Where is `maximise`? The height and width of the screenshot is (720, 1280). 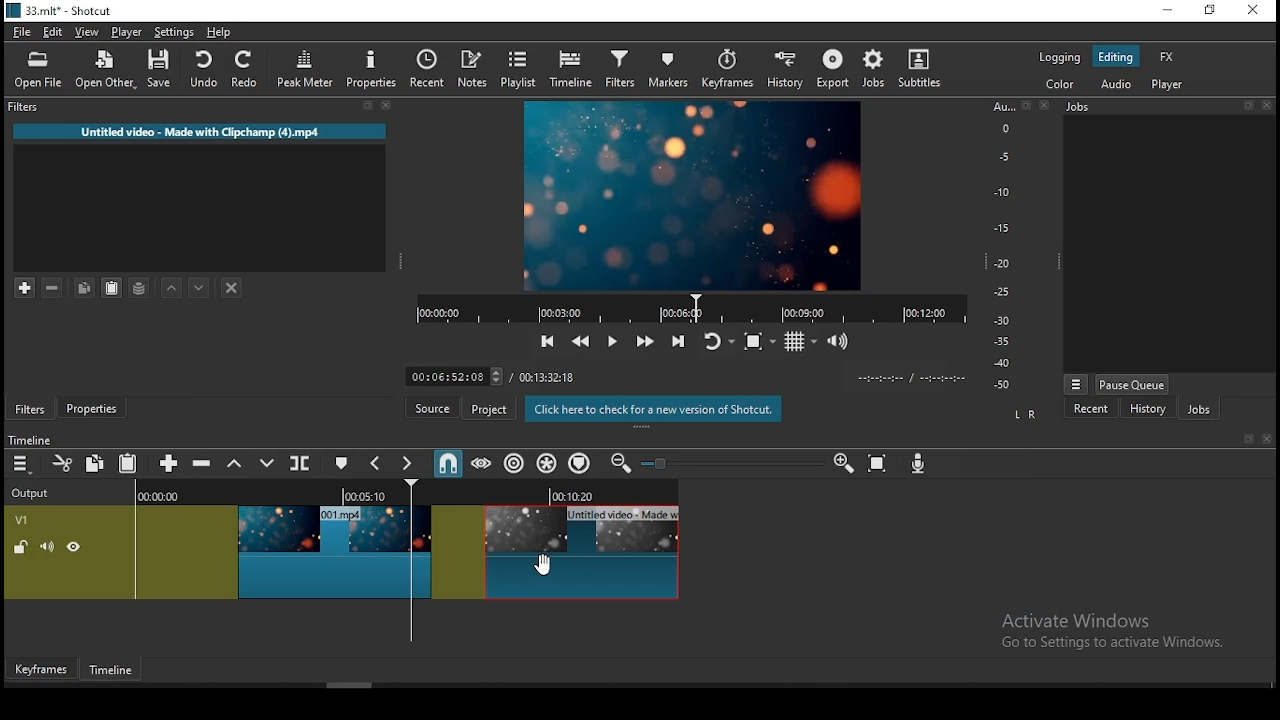
maximise is located at coordinates (1211, 11).